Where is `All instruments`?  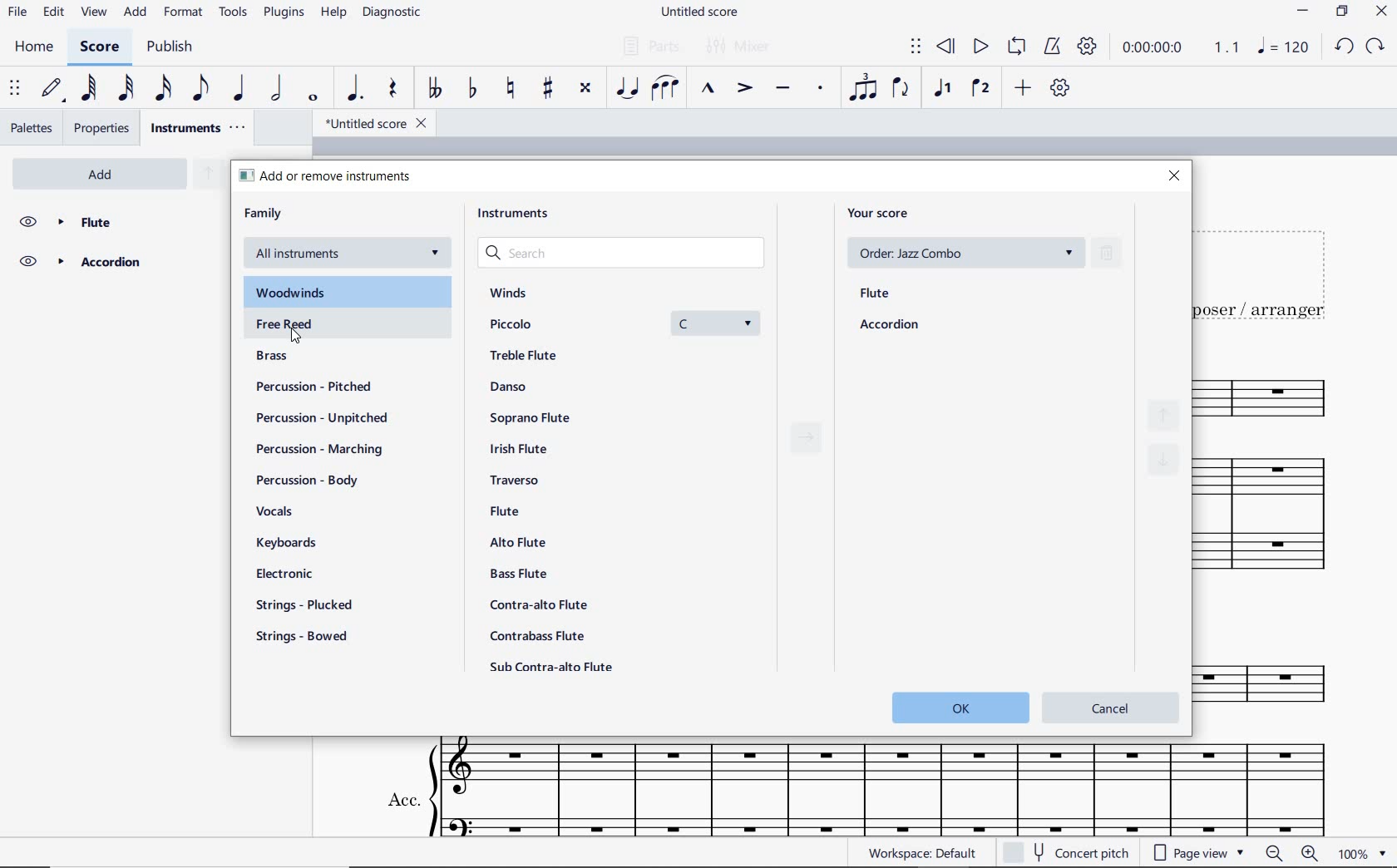 All instruments is located at coordinates (349, 257).